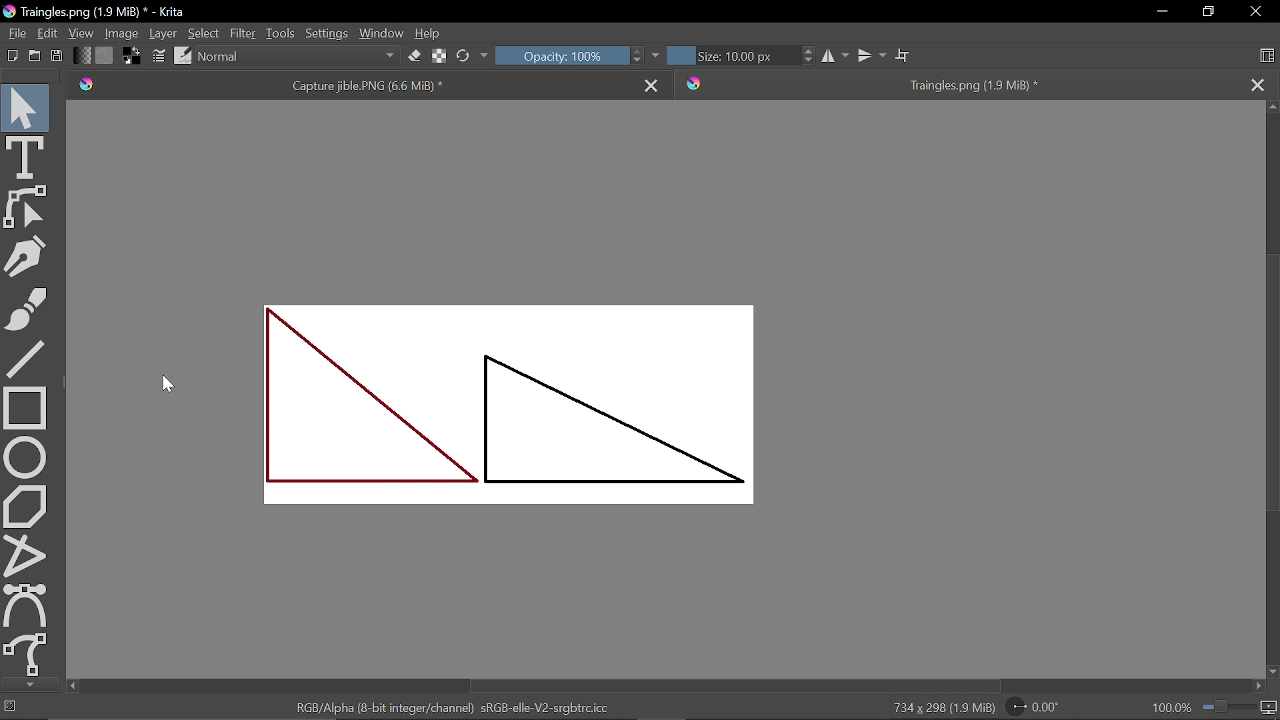 Image resolution: width=1280 pixels, height=720 pixels. I want to click on Line tool, so click(25, 360).